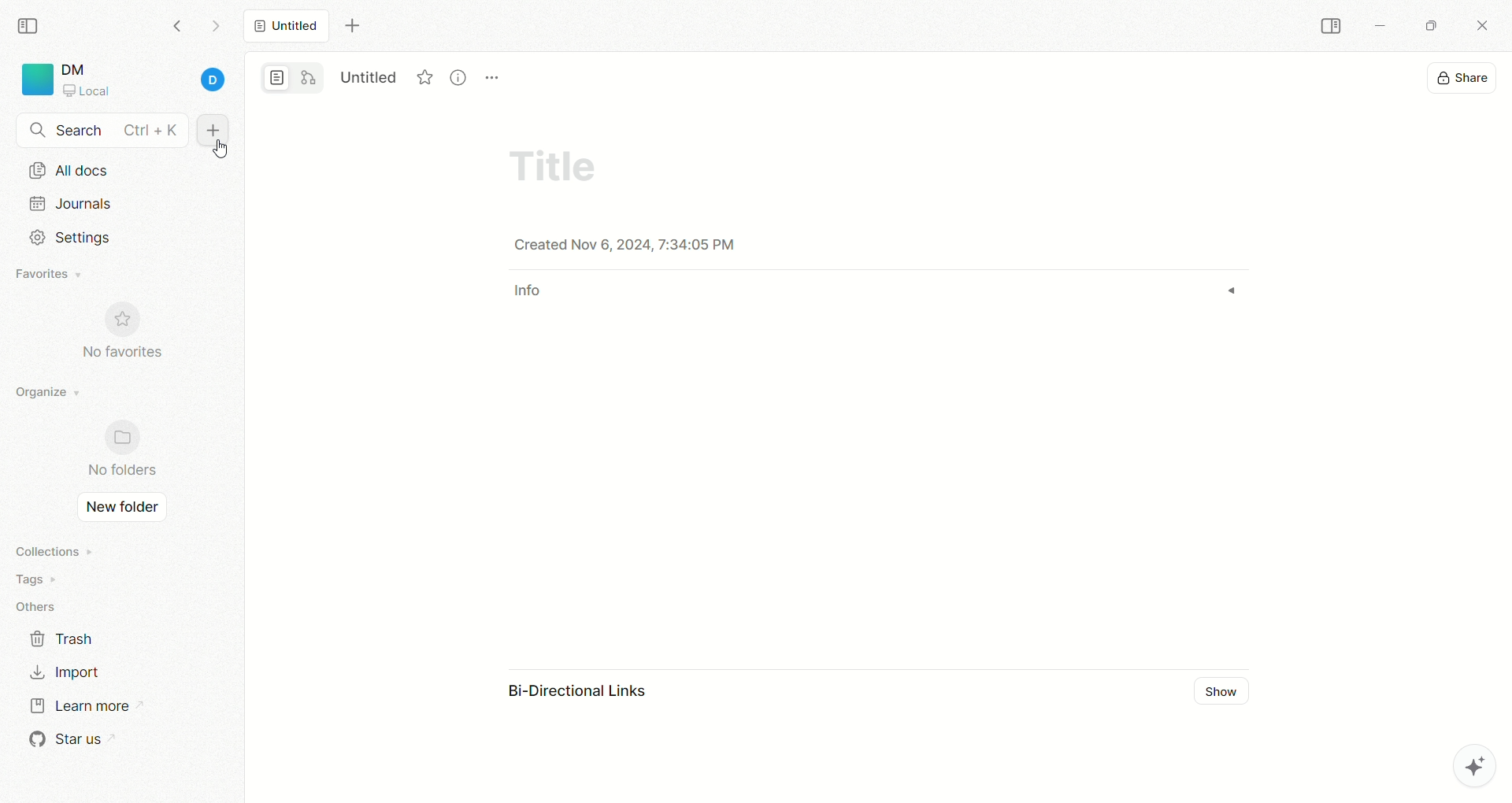 The image size is (1512, 803). What do you see at coordinates (1464, 76) in the screenshot?
I see `share` at bounding box center [1464, 76].